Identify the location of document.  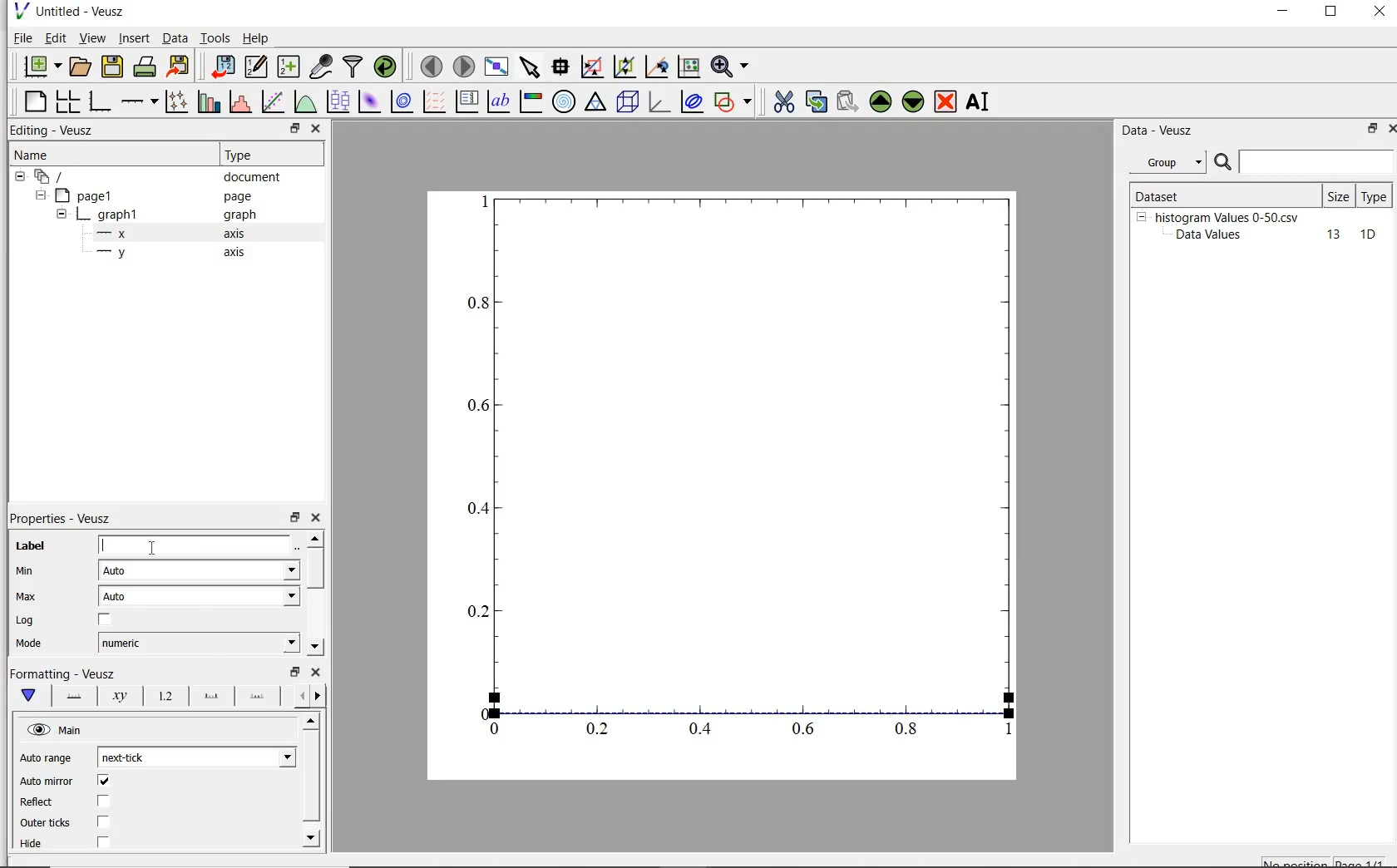
(253, 179).